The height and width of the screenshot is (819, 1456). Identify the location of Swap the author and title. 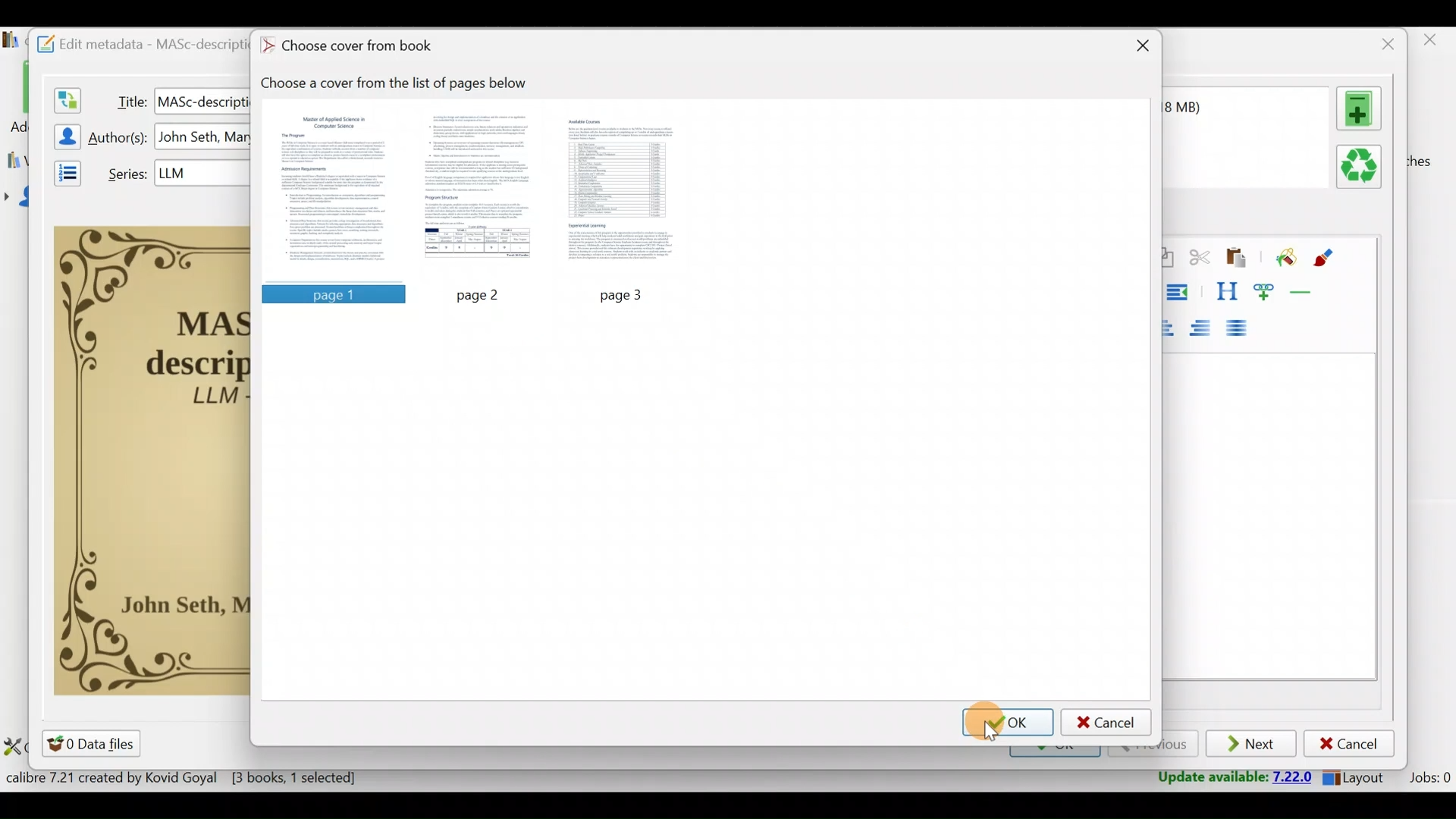
(66, 97).